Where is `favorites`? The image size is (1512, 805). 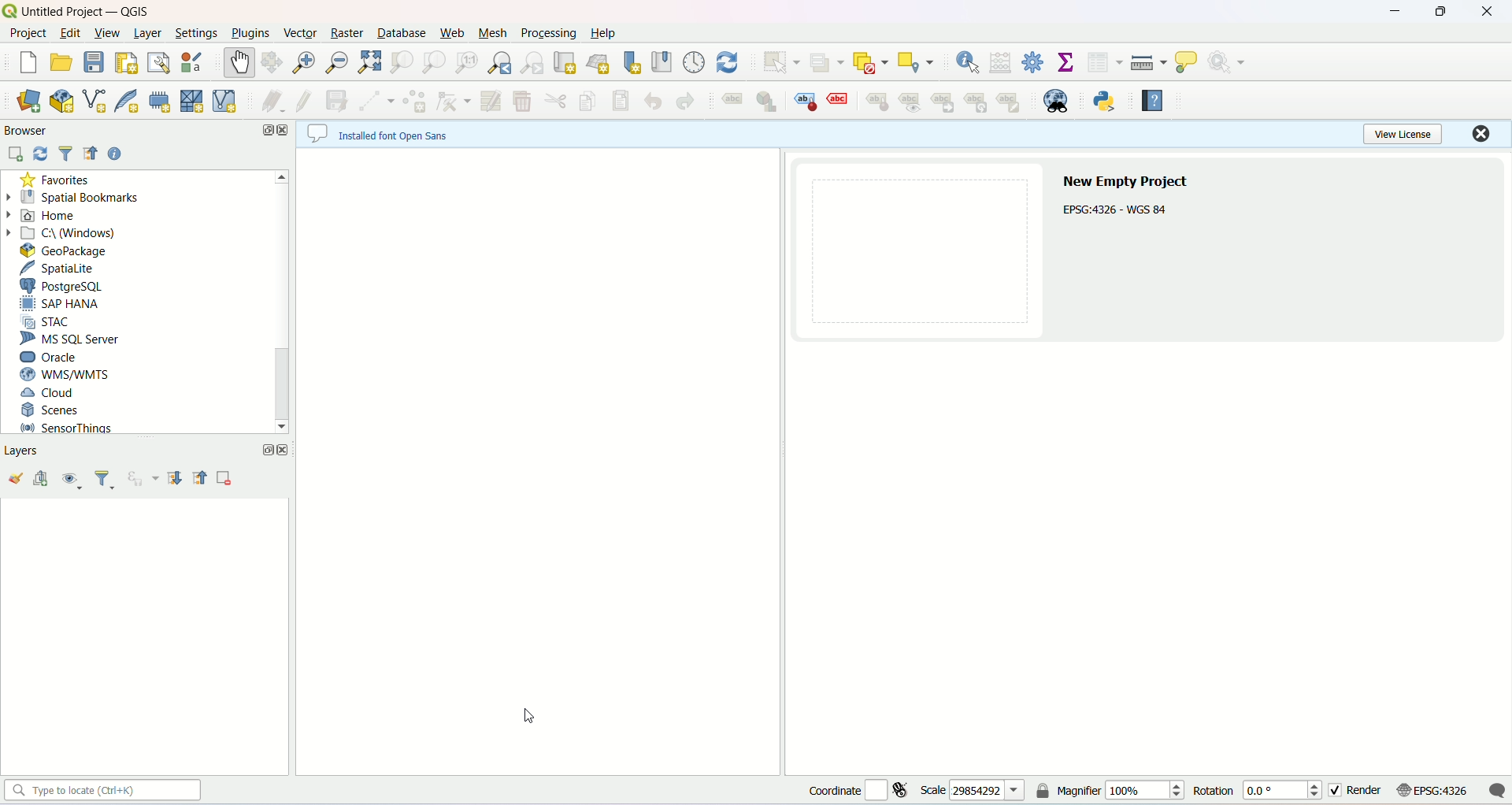 favorites is located at coordinates (52, 179).